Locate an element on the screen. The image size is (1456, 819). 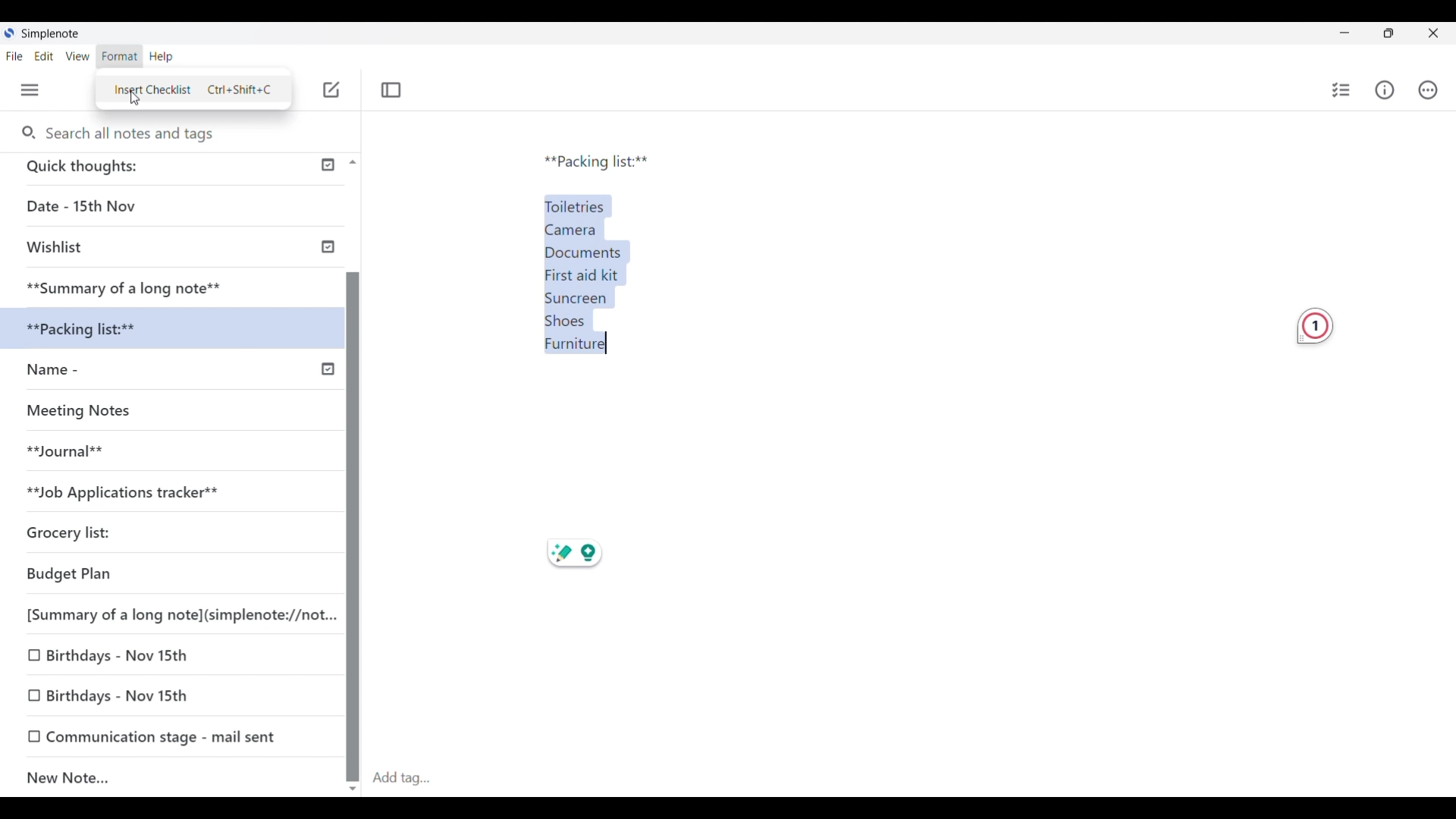
View menu is located at coordinates (78, 56).